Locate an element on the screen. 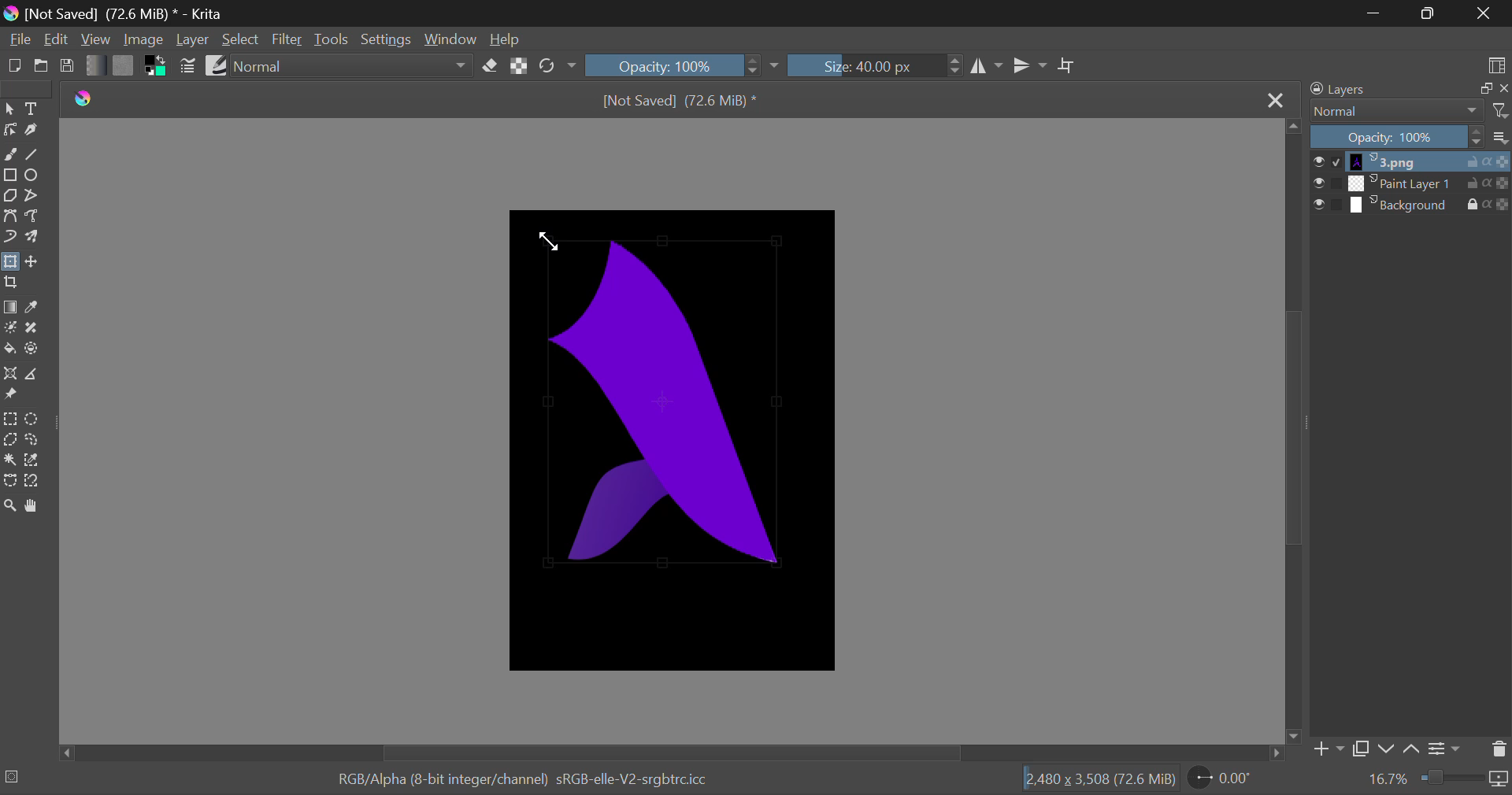  Reference Images is located at coordinates (9, 395).